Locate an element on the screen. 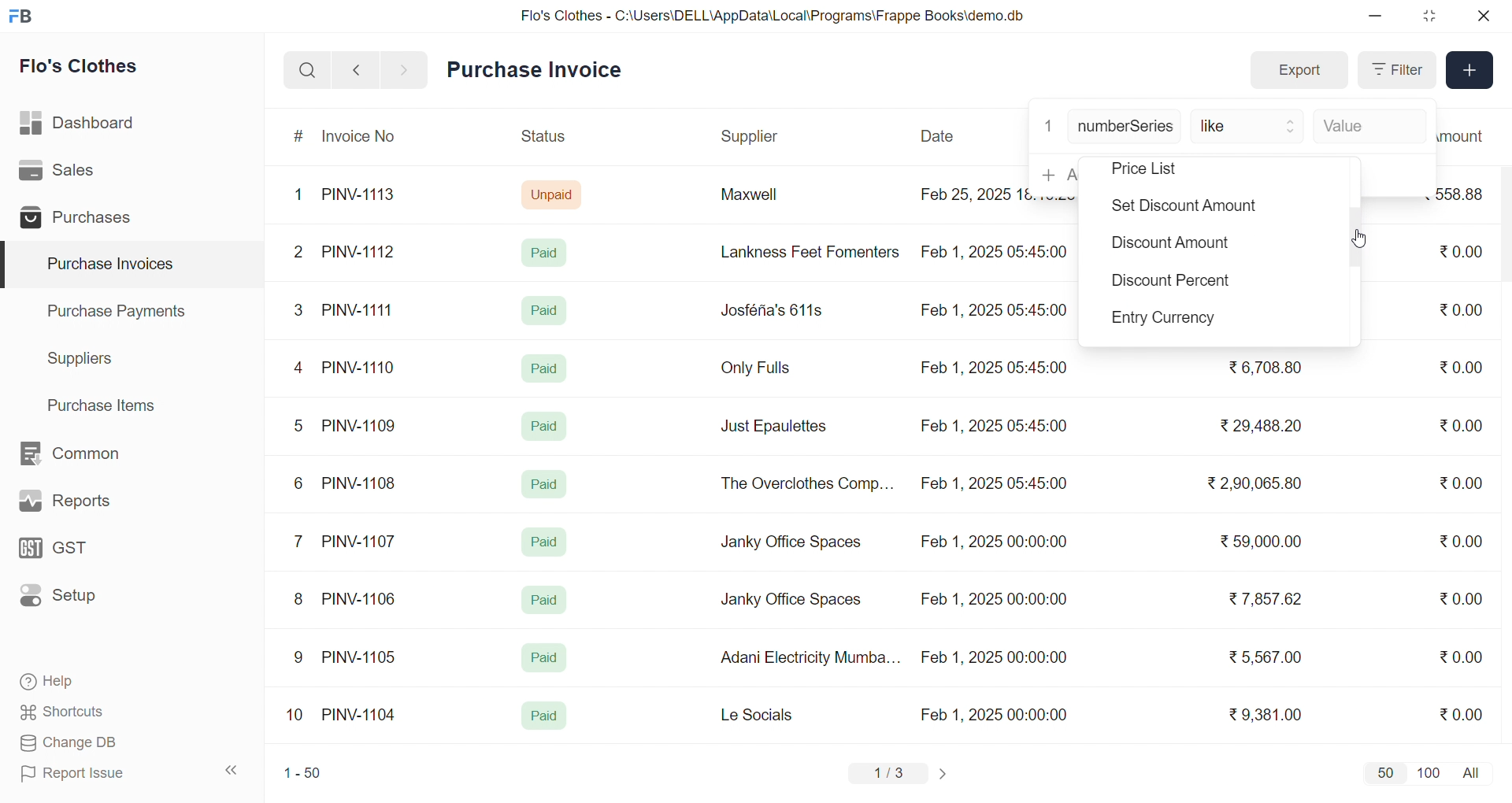 The image size is (1512, 803). PINV-1104 is located at coordinates (361, 715).